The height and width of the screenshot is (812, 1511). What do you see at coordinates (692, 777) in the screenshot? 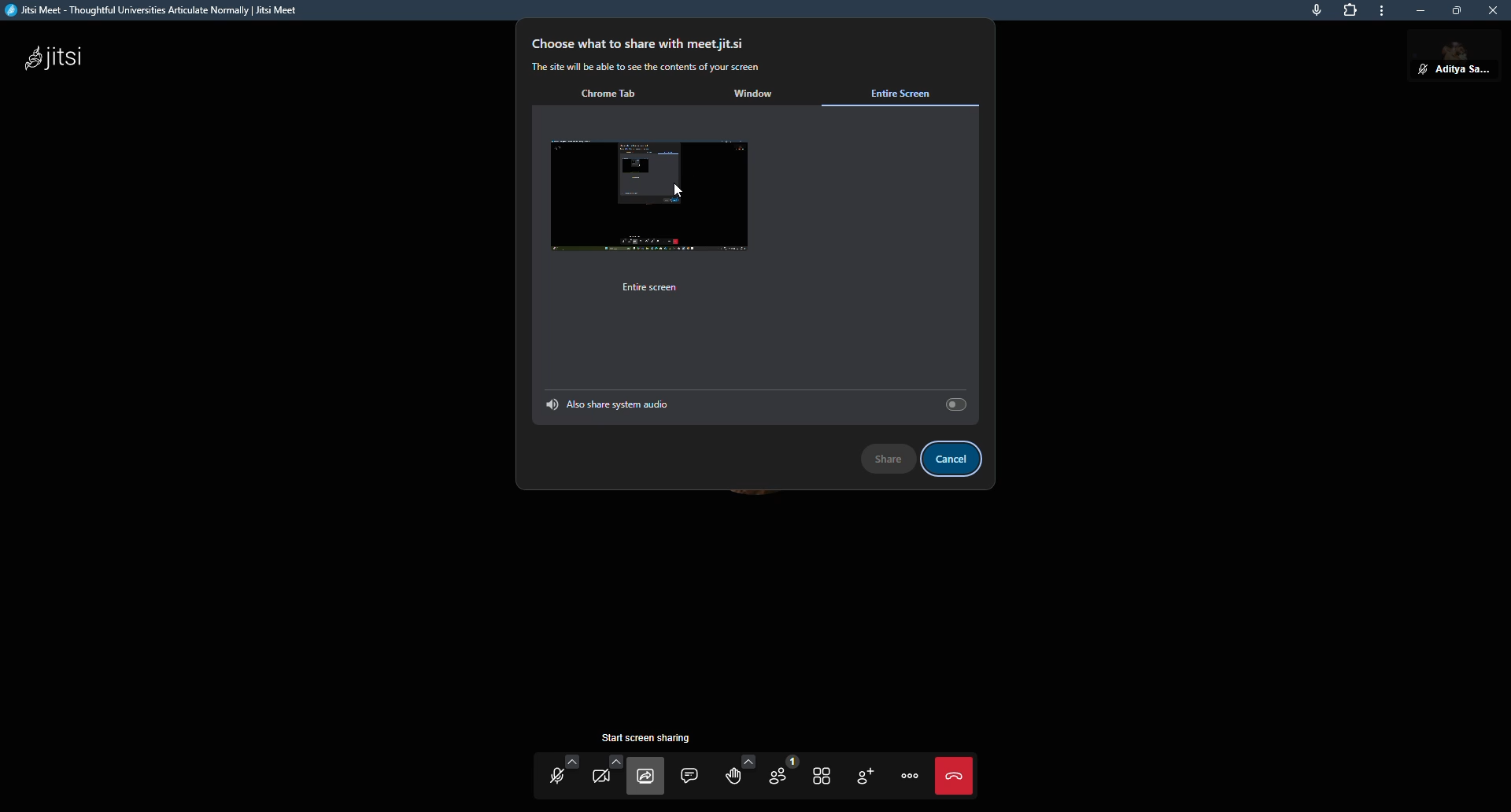
I see `open chat` at bounding box center [692, 777].